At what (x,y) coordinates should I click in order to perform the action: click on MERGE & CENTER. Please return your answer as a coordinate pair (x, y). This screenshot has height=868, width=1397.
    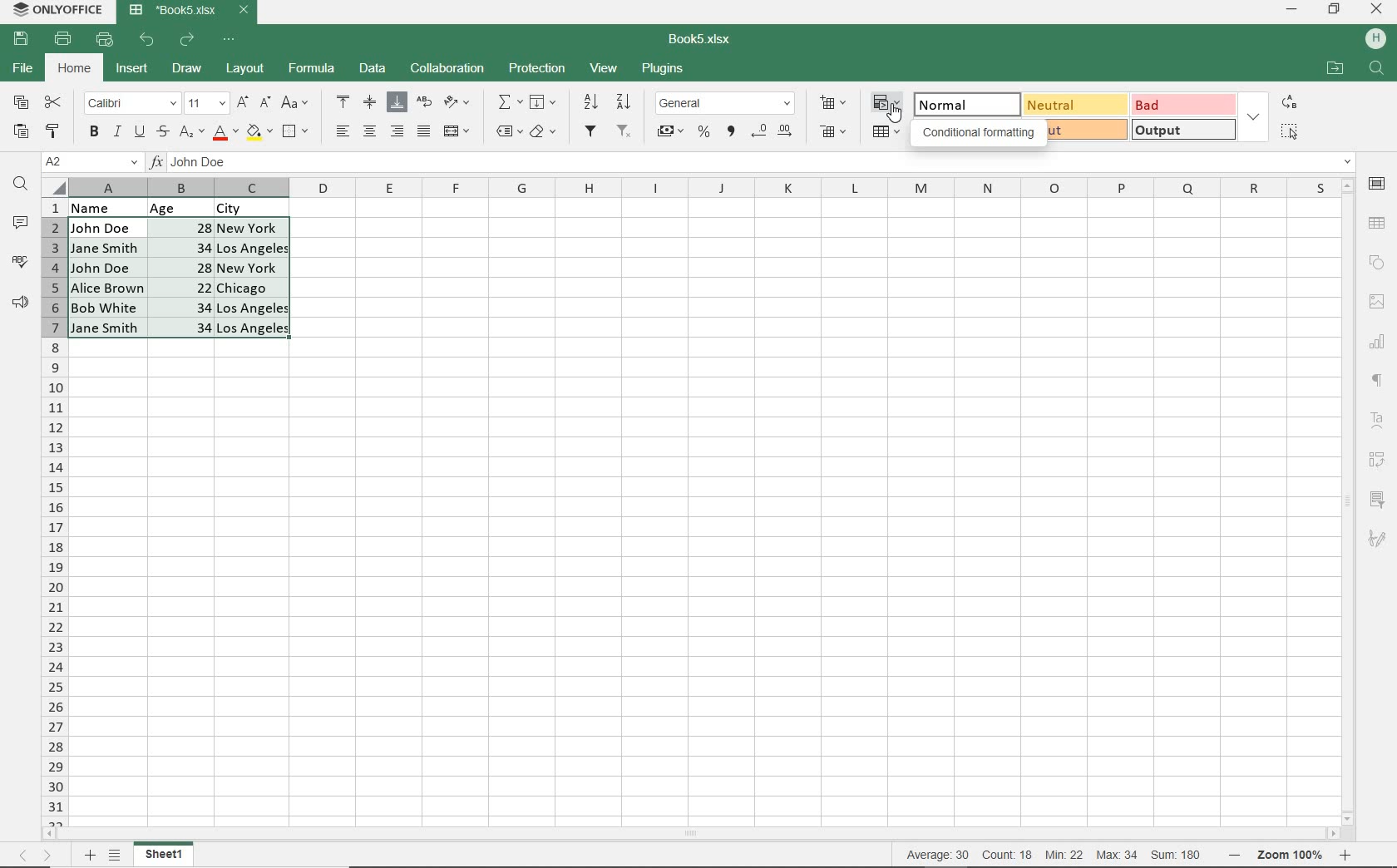
    Looking at the image, I should click on (457, 131).